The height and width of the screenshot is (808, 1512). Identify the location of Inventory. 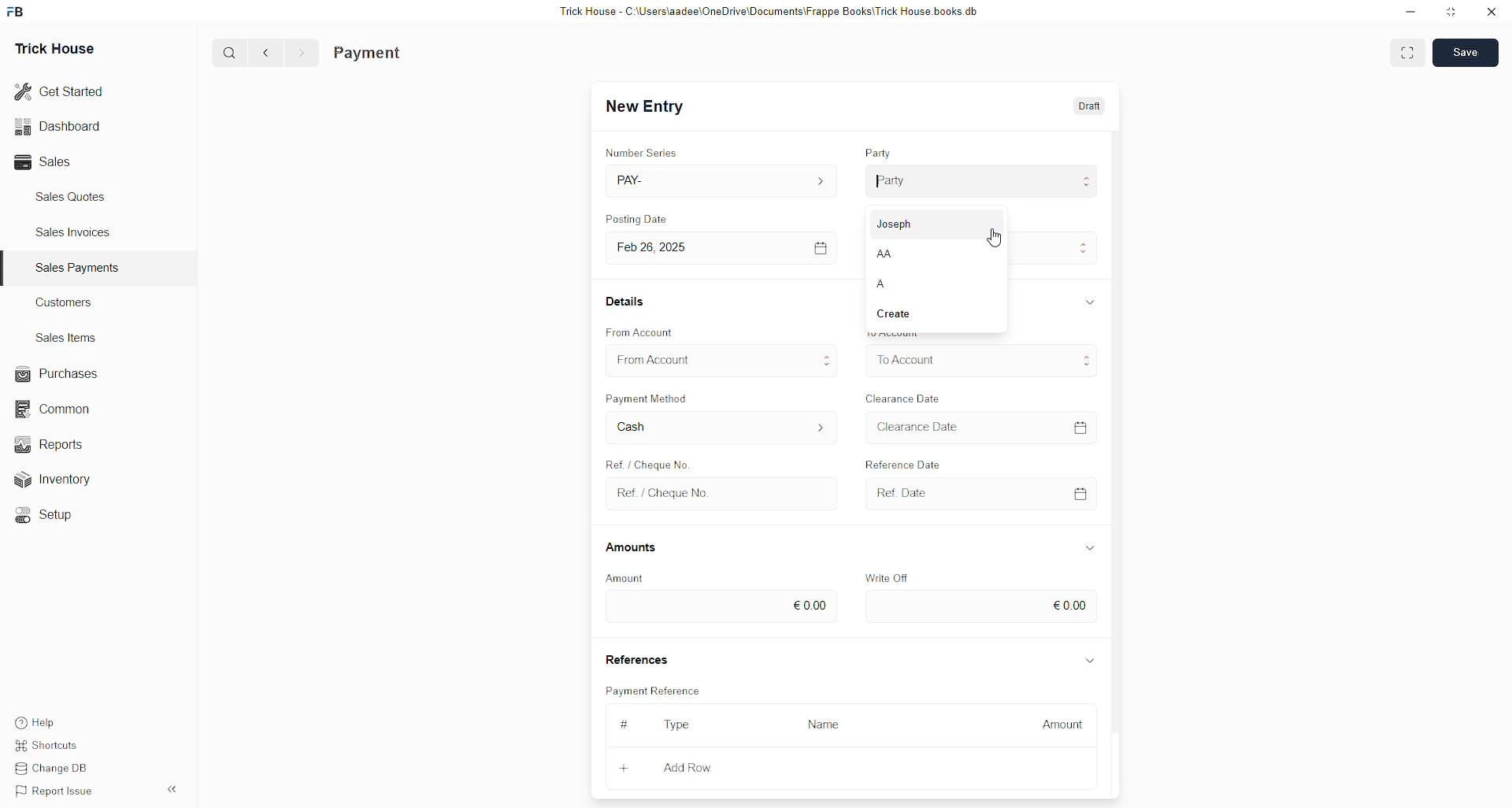
(71, 478).